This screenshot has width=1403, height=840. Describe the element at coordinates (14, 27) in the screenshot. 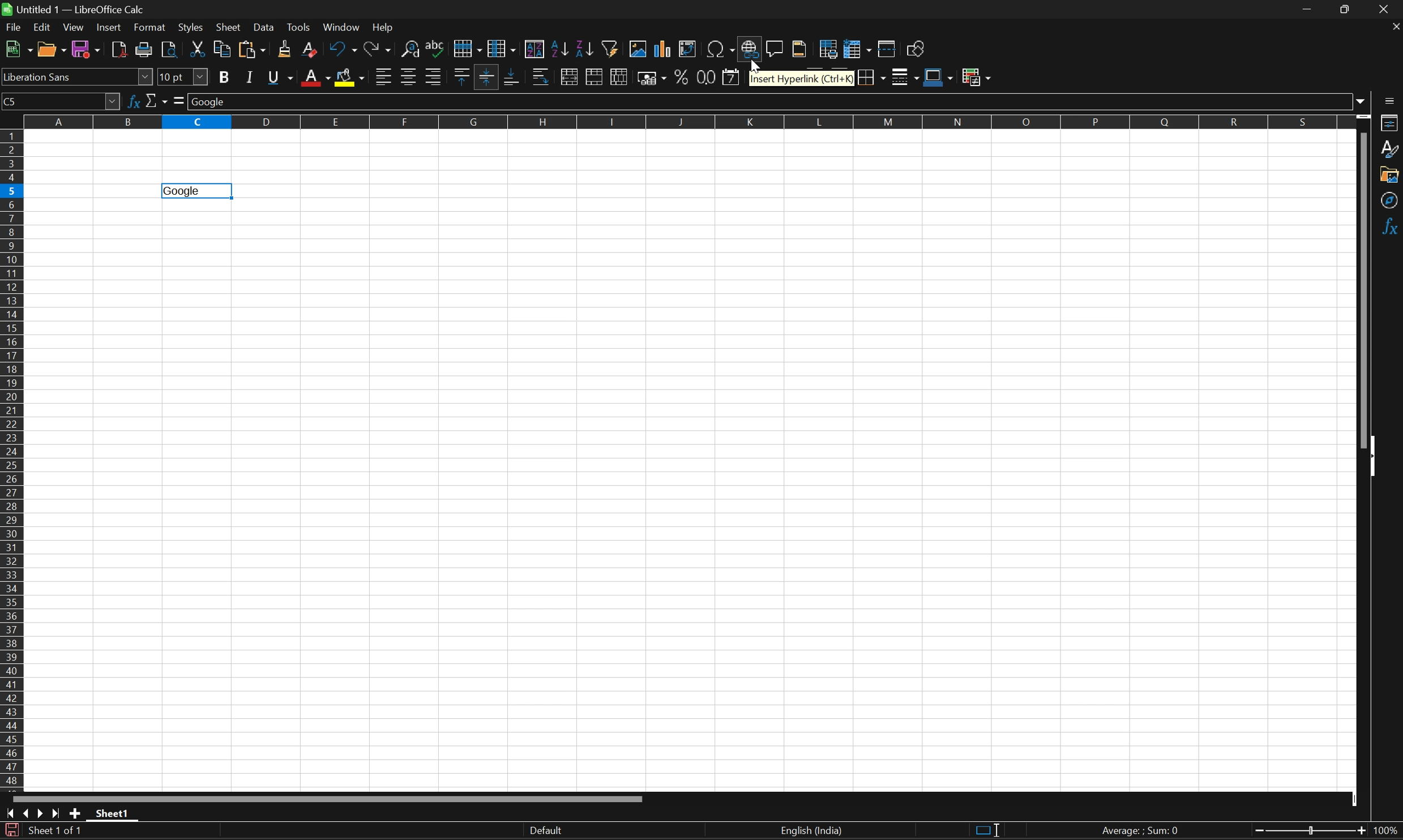

I see `File` at that location.